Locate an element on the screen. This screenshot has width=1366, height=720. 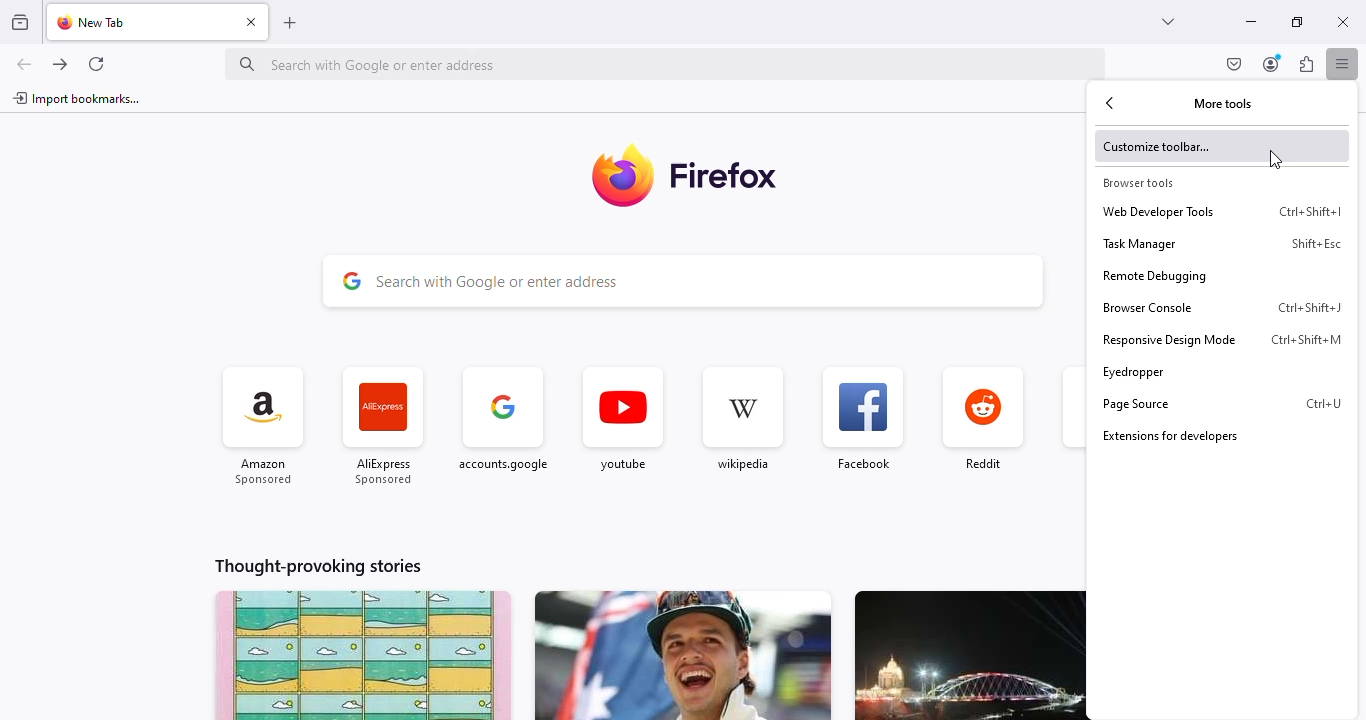
reload current page is located at coordinates (95, 64).